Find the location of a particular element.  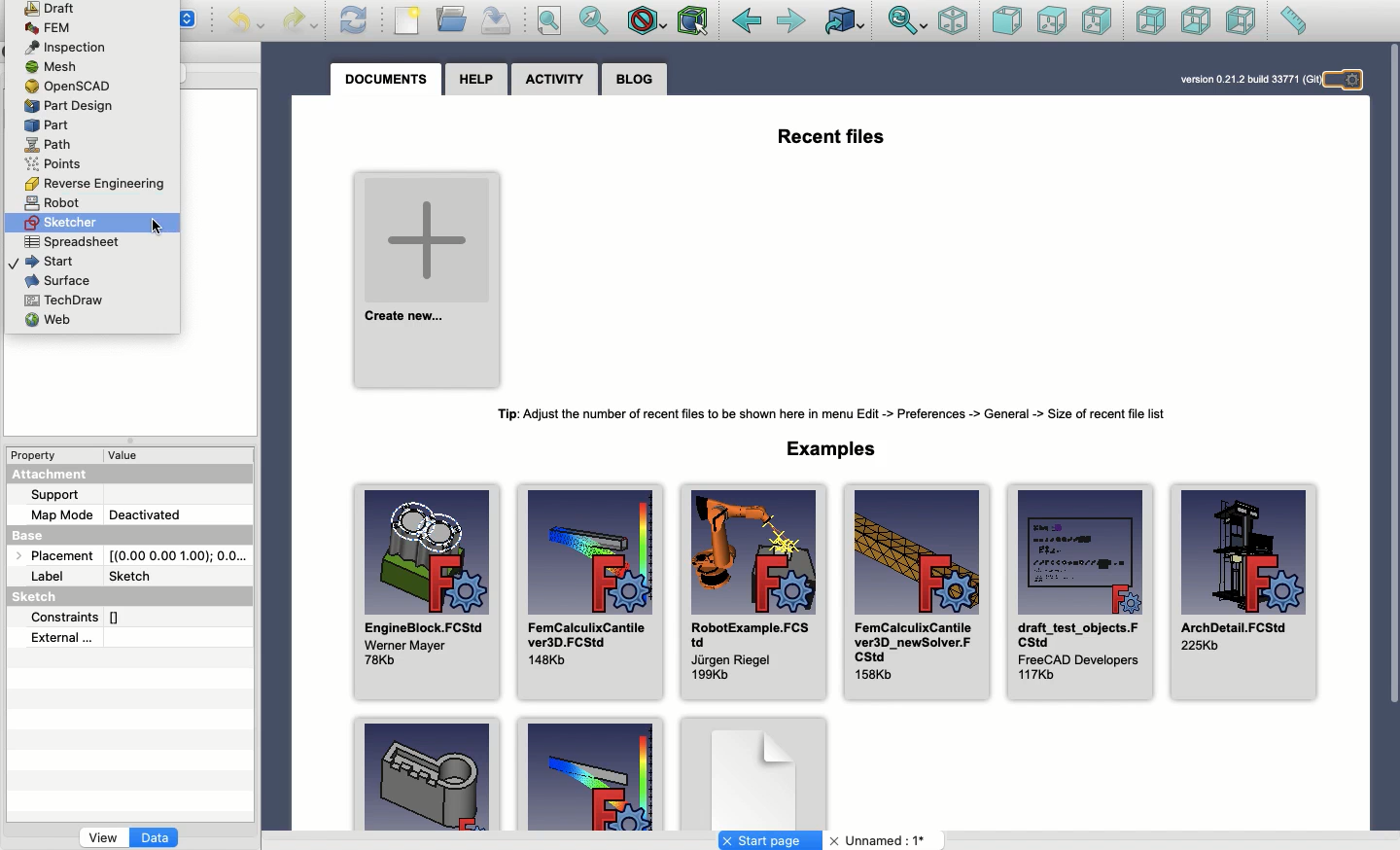

Start page is located at coordinates (770, 840).